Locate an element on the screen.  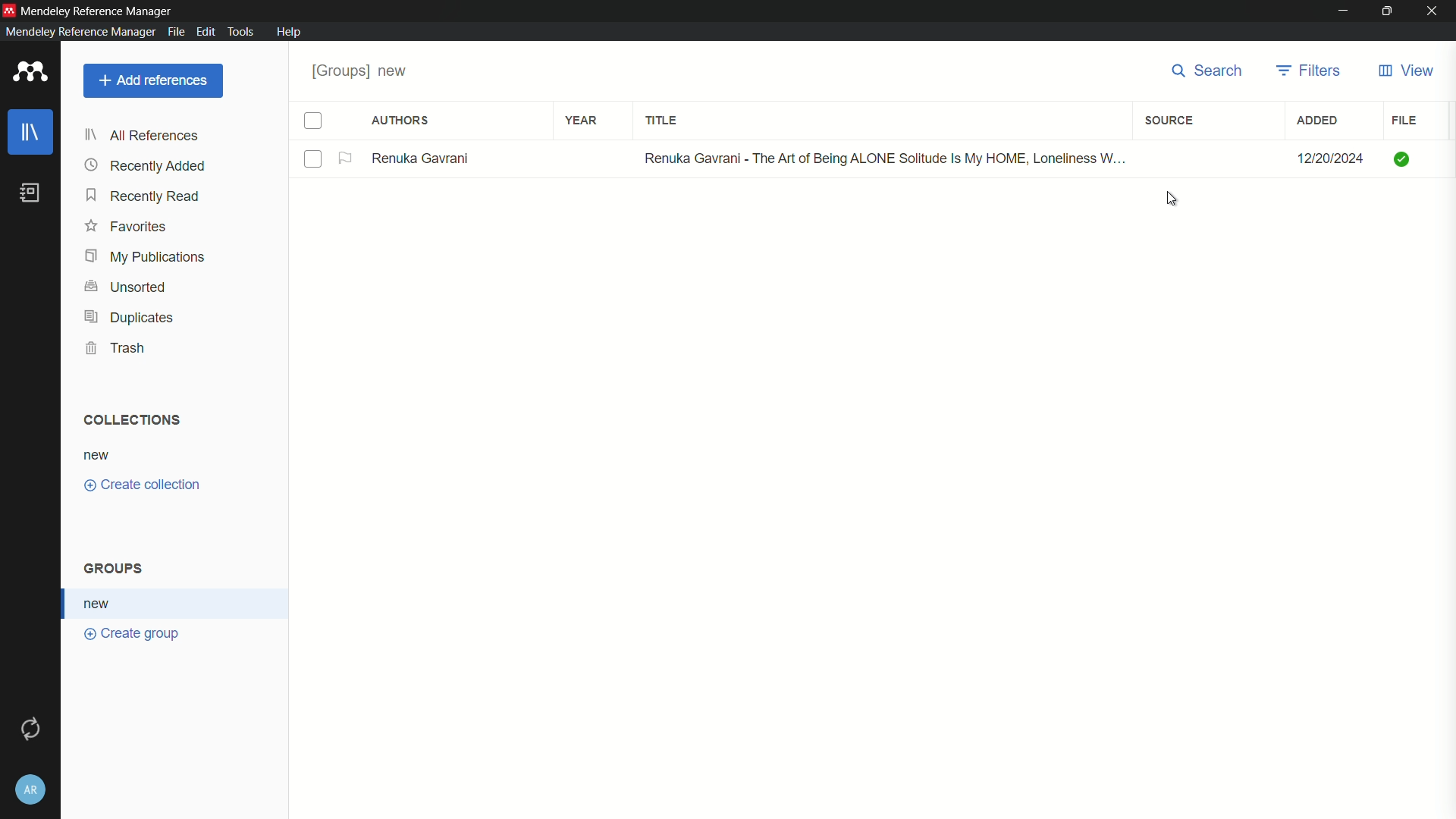
Renuka Gavrani-The Art of Being ALONE Solitude Is My HOME, Loneliness W... is located at coordinates (877, 156).